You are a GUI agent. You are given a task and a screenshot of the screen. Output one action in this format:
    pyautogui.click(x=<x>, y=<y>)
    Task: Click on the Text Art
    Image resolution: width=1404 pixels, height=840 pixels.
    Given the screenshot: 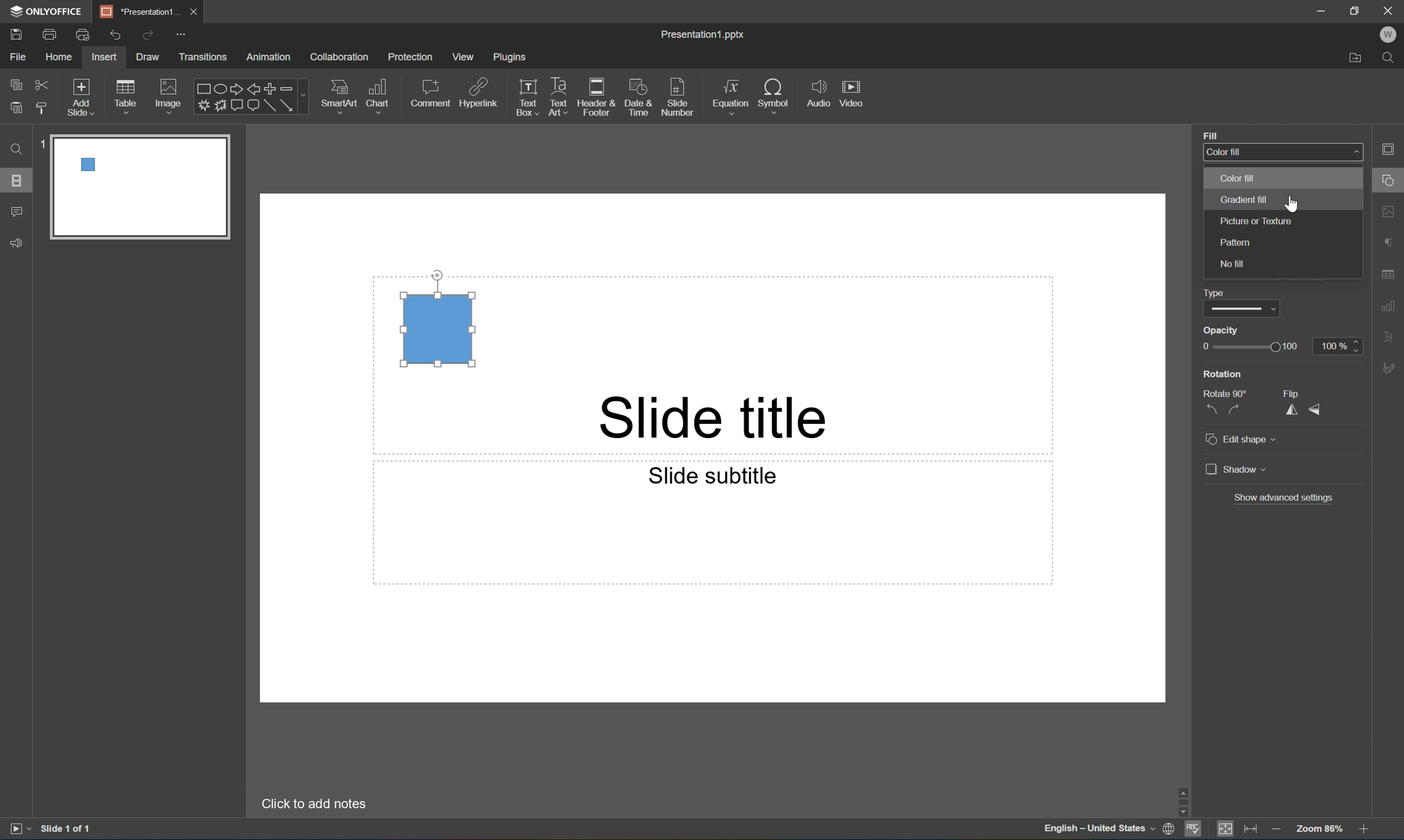 What is the action you would take?
    pyautogui.click(x=559, y=98)
    